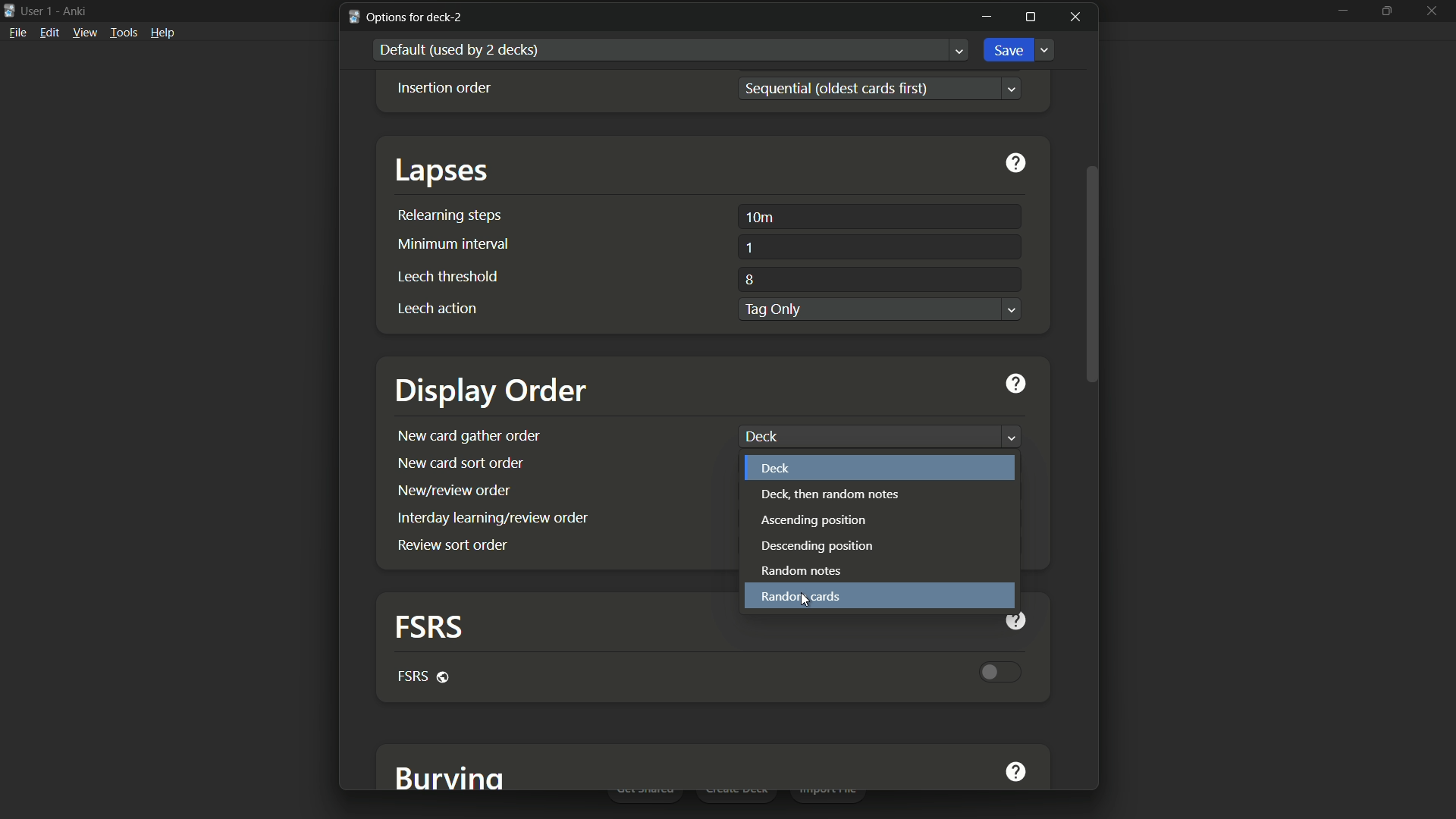 The height and width of the screenshot is (819, 1456). Describe the element at coordinates (435, 308) in the screenshot. I see `leech action` at that location.